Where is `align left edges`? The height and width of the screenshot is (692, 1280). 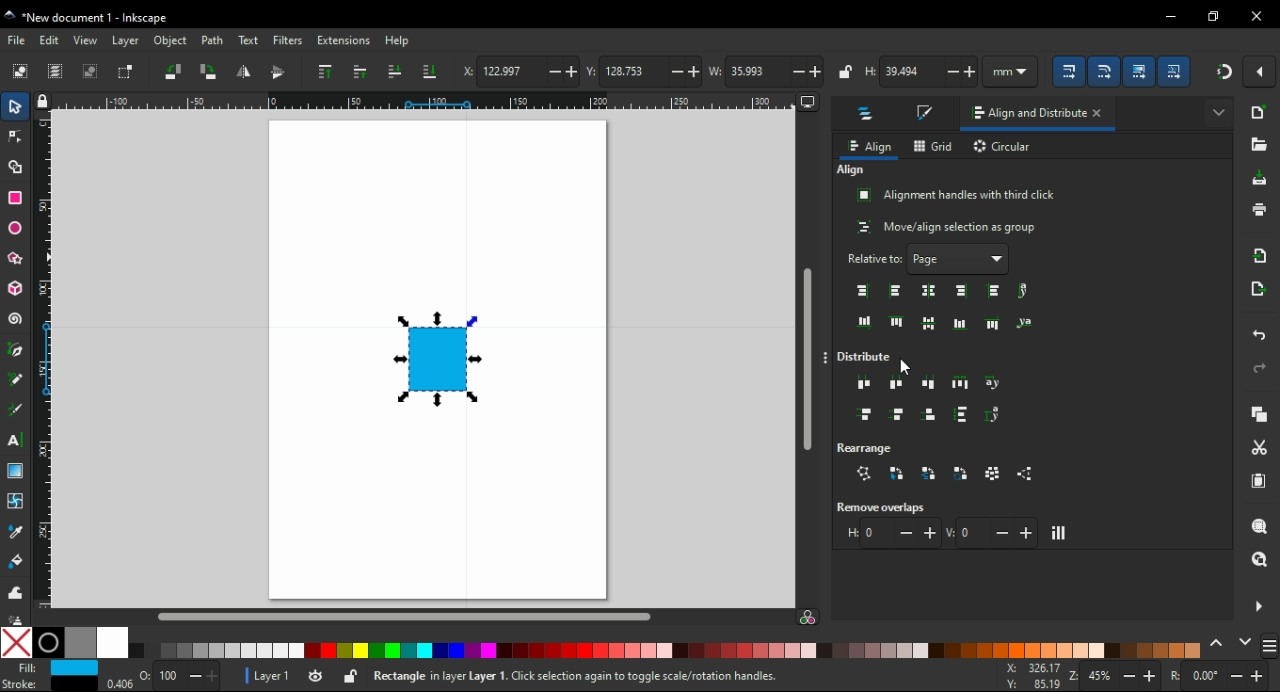 align left edges is located at coordinates (894, 291).